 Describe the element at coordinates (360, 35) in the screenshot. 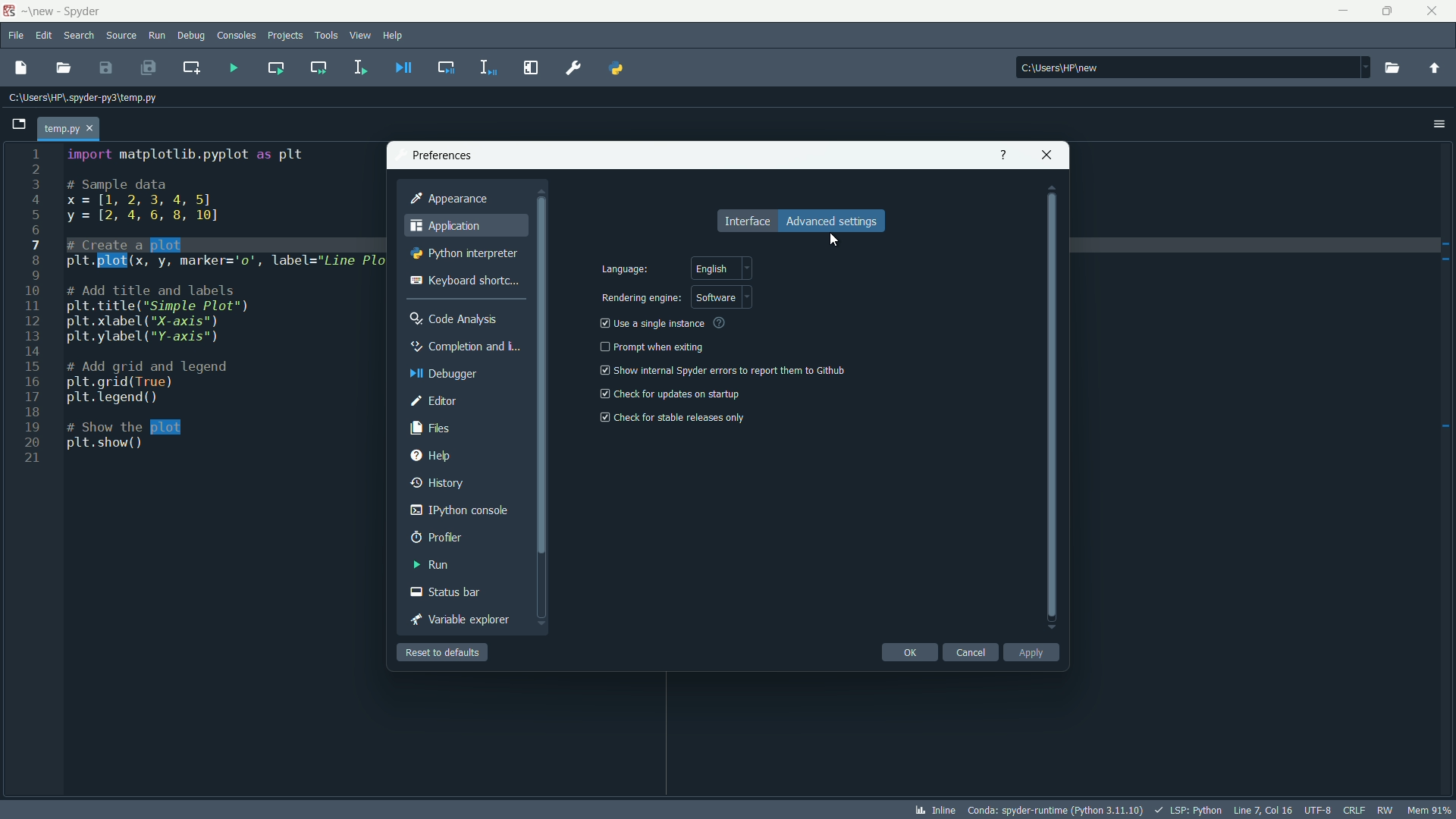

I see `view` at that location.